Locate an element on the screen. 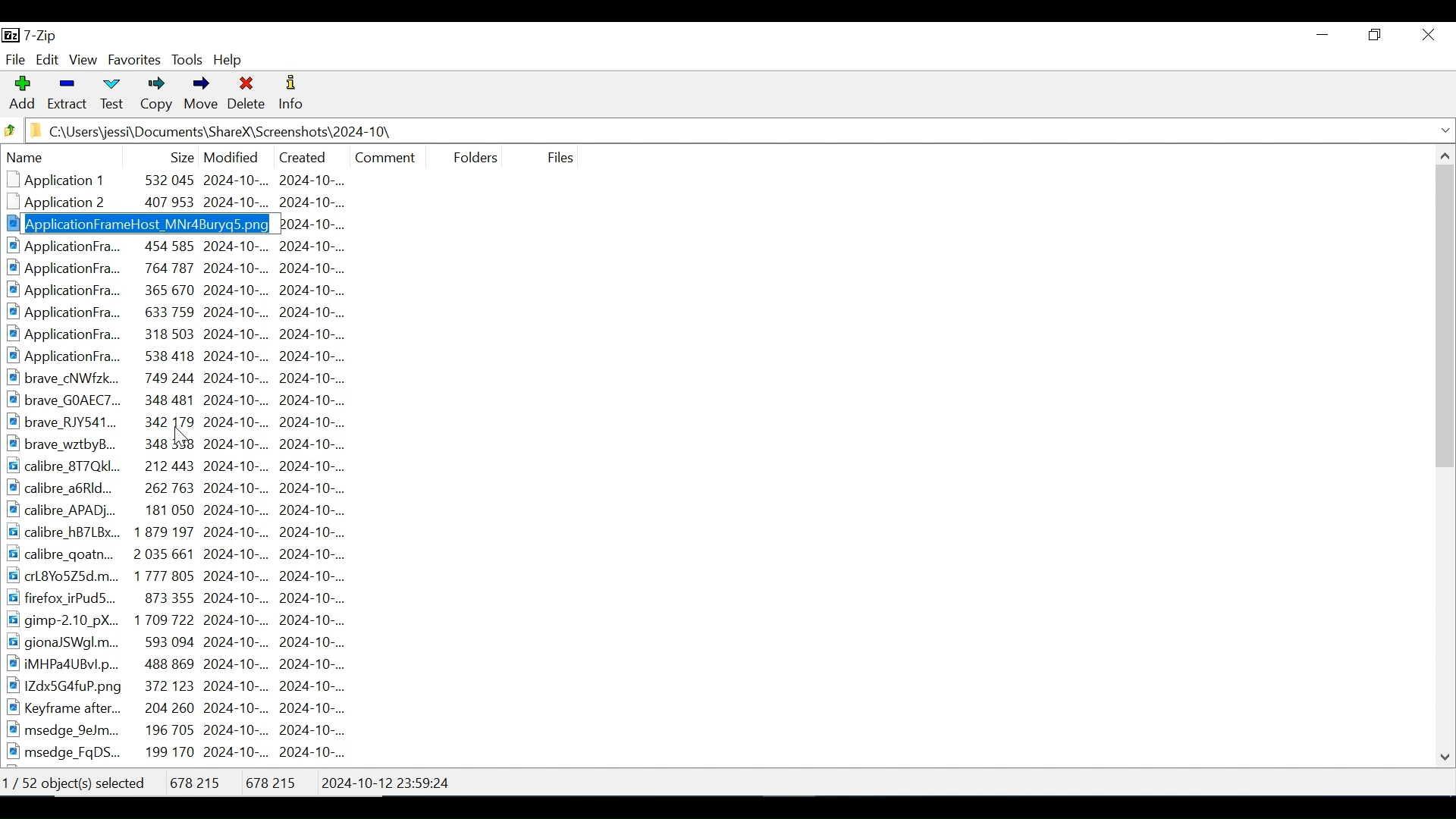 The height and width of the screenshot is (819, 1456). gionaJSWgl.m... 593 094 2024-10-.. 2024-10-... is located at coordinates (184, 642).